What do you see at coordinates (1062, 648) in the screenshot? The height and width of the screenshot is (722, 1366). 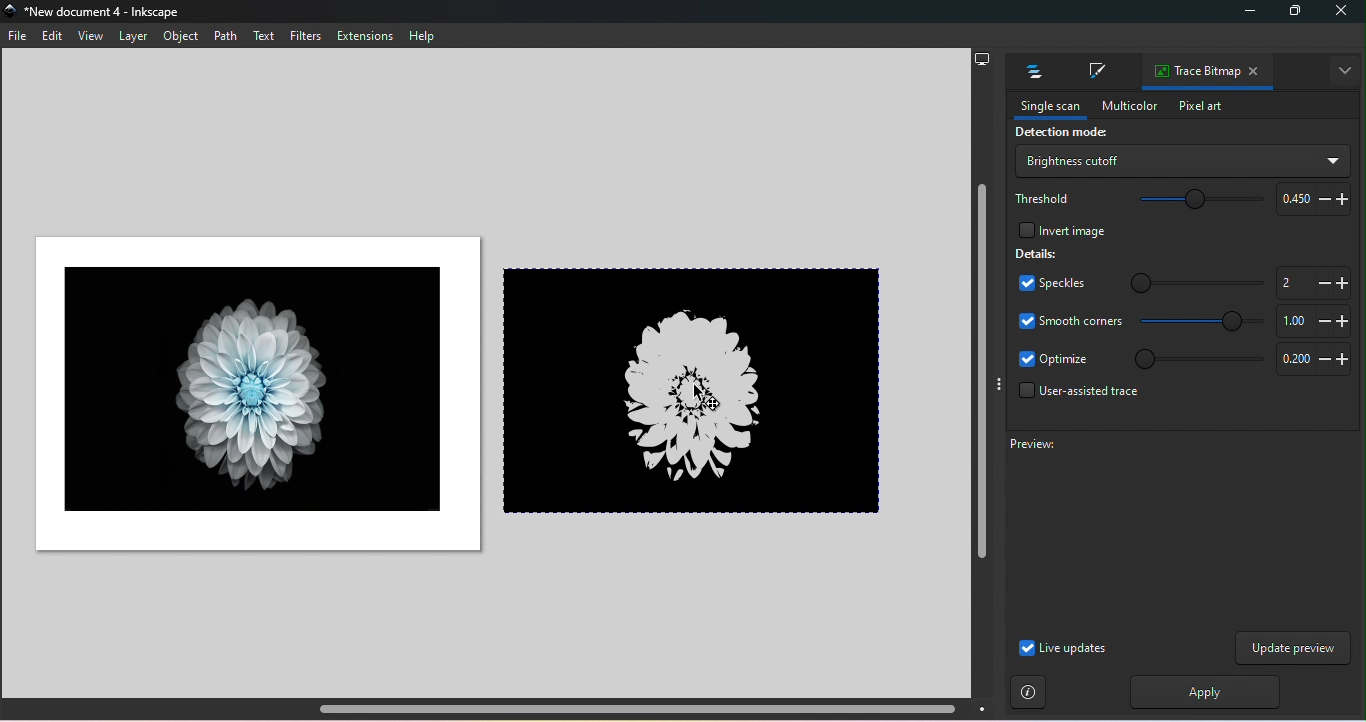 I see `Live updates` at bounding box center [1062, 648].